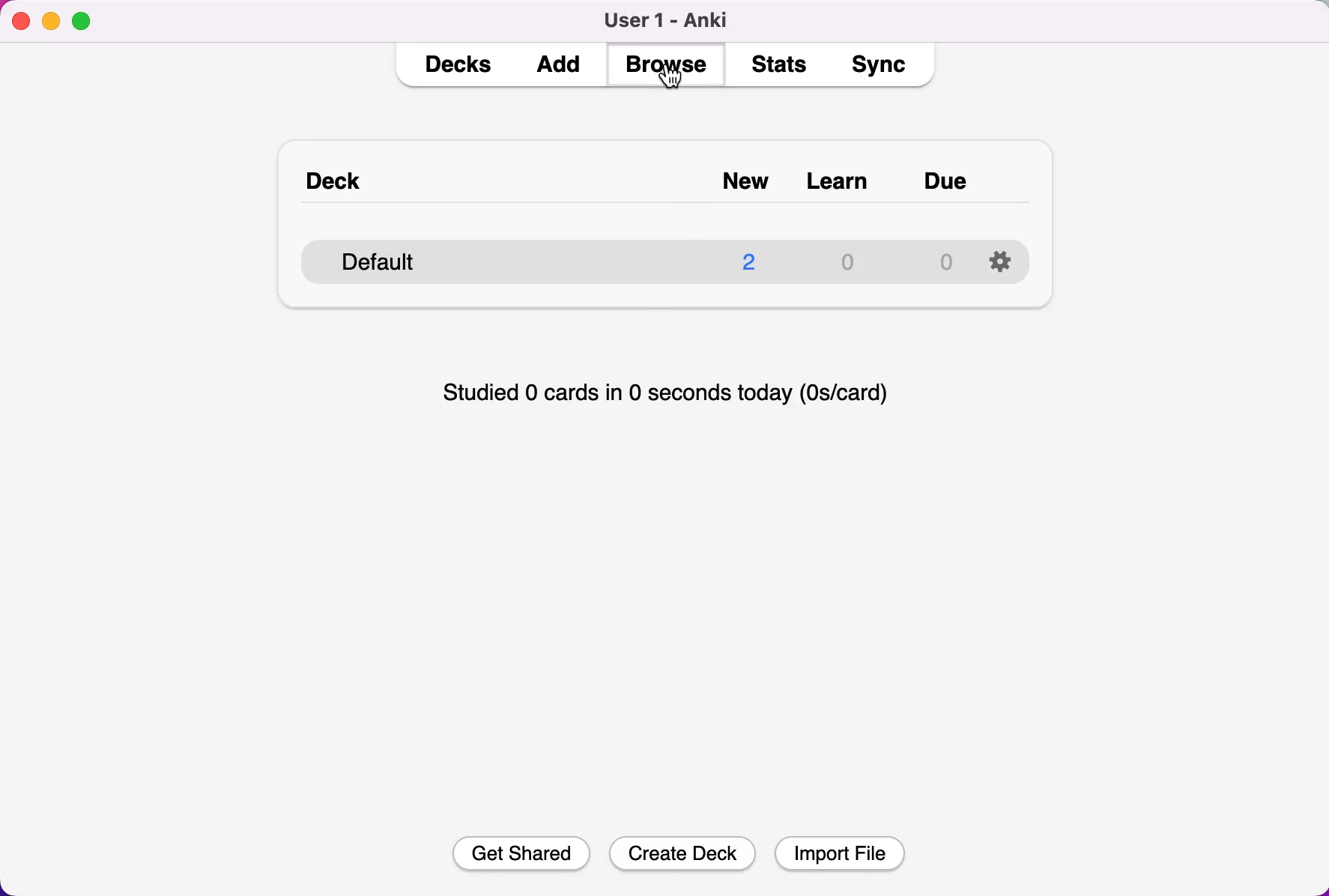 Image resolution: width=1329 pixels, height=896 pixels. What do you see at coordinates (22, 23) in the screenshot?
I see `close` at bounding box center [22, 23].